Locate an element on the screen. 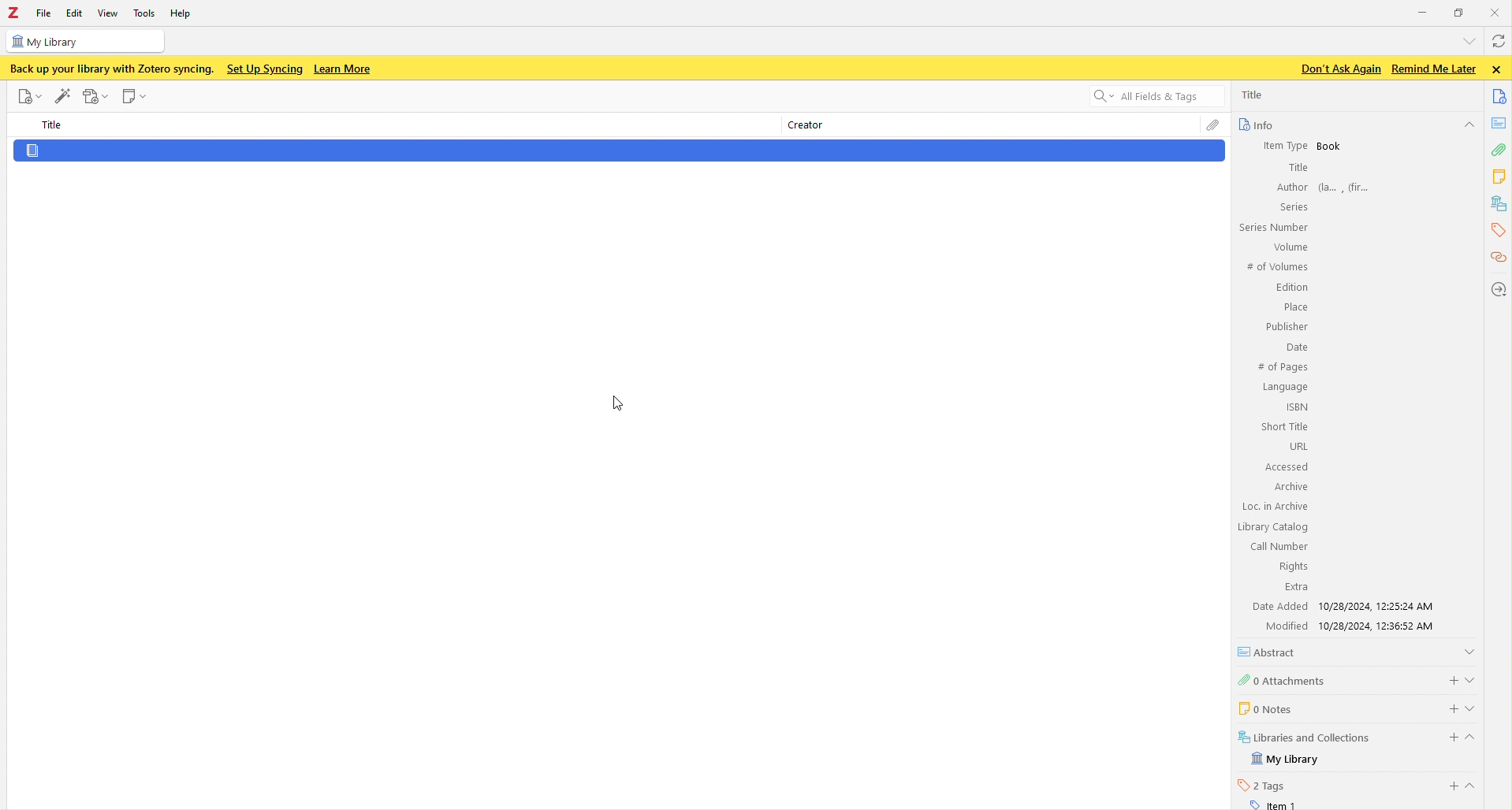 The image size is (1512, 810). ISBN is located at coordinates (1298, 407).